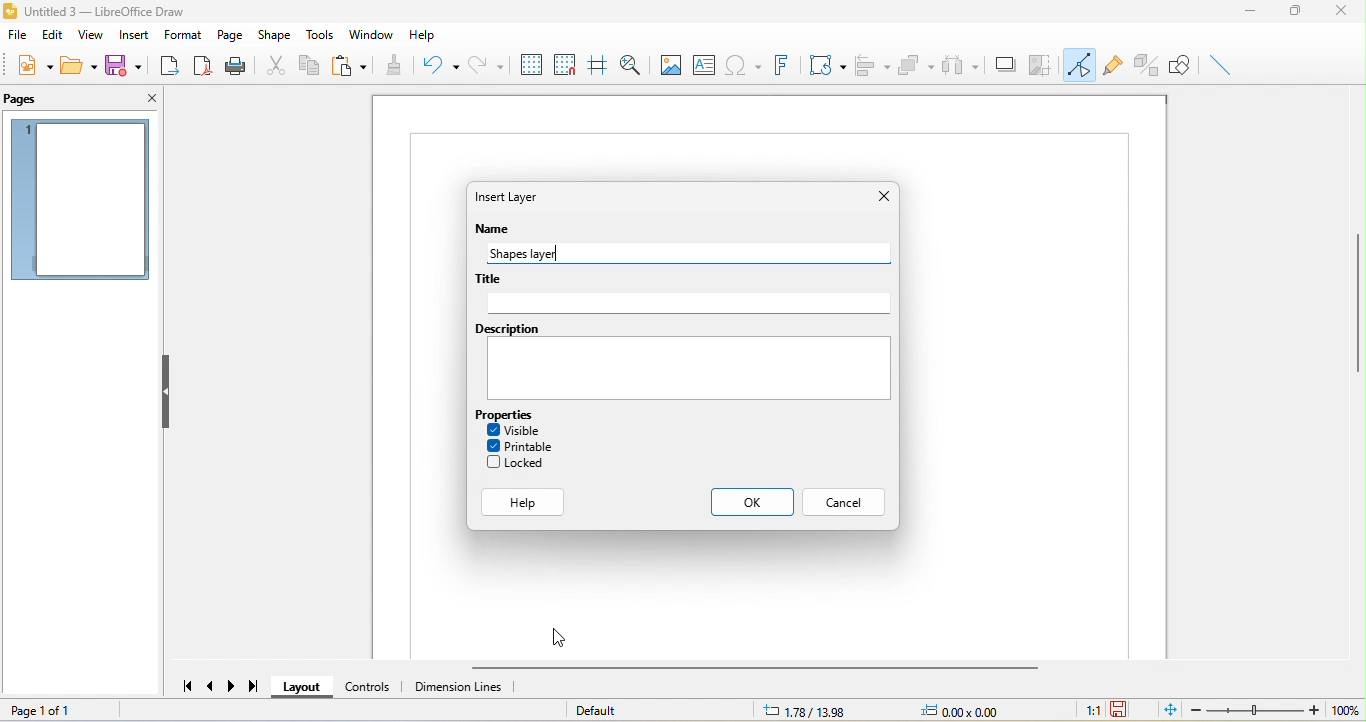  Describe the element at coordinates (89, 35) in the screenshot. I see `view` at that location.